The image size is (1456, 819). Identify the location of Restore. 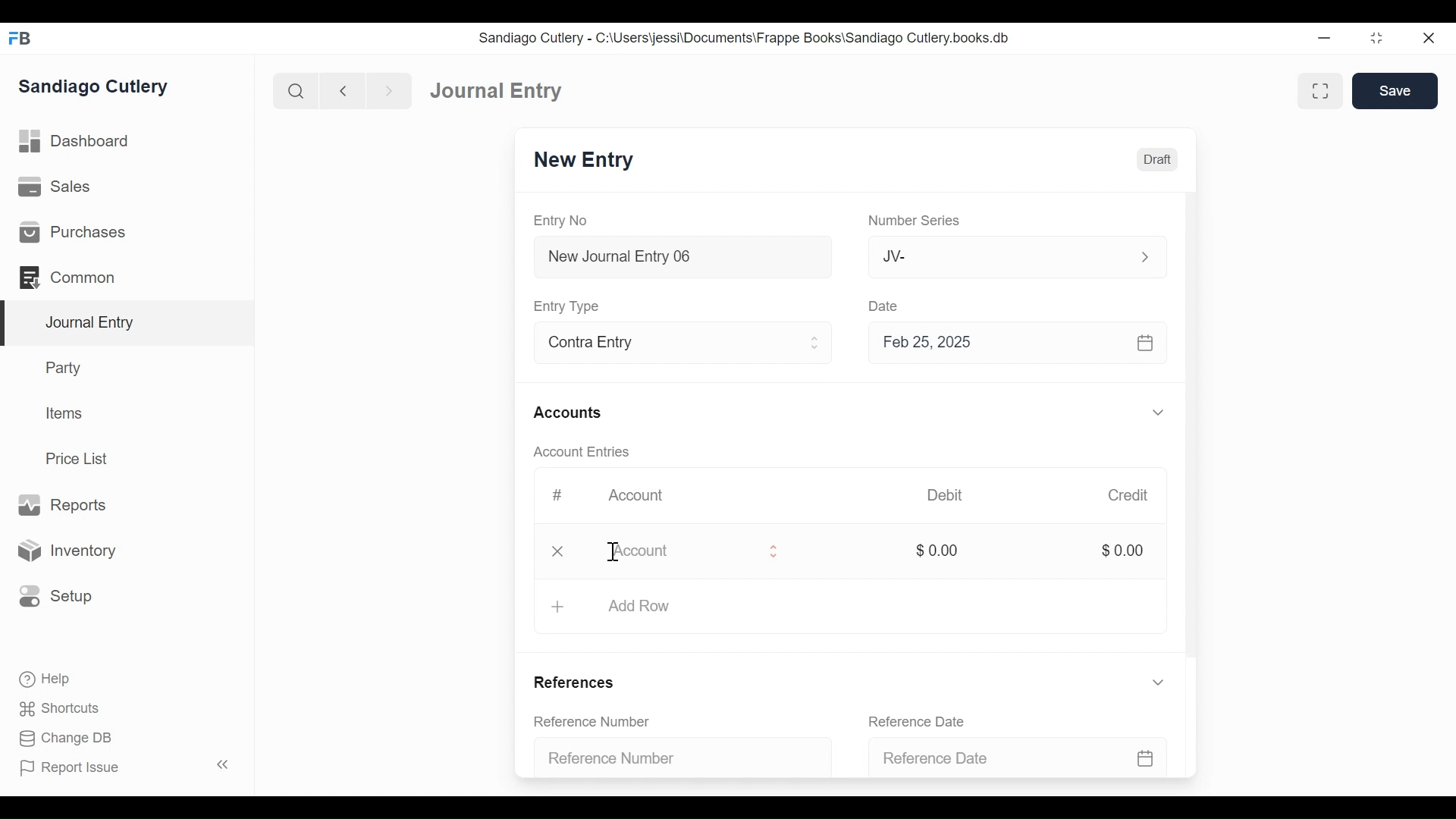
(1379, 37).